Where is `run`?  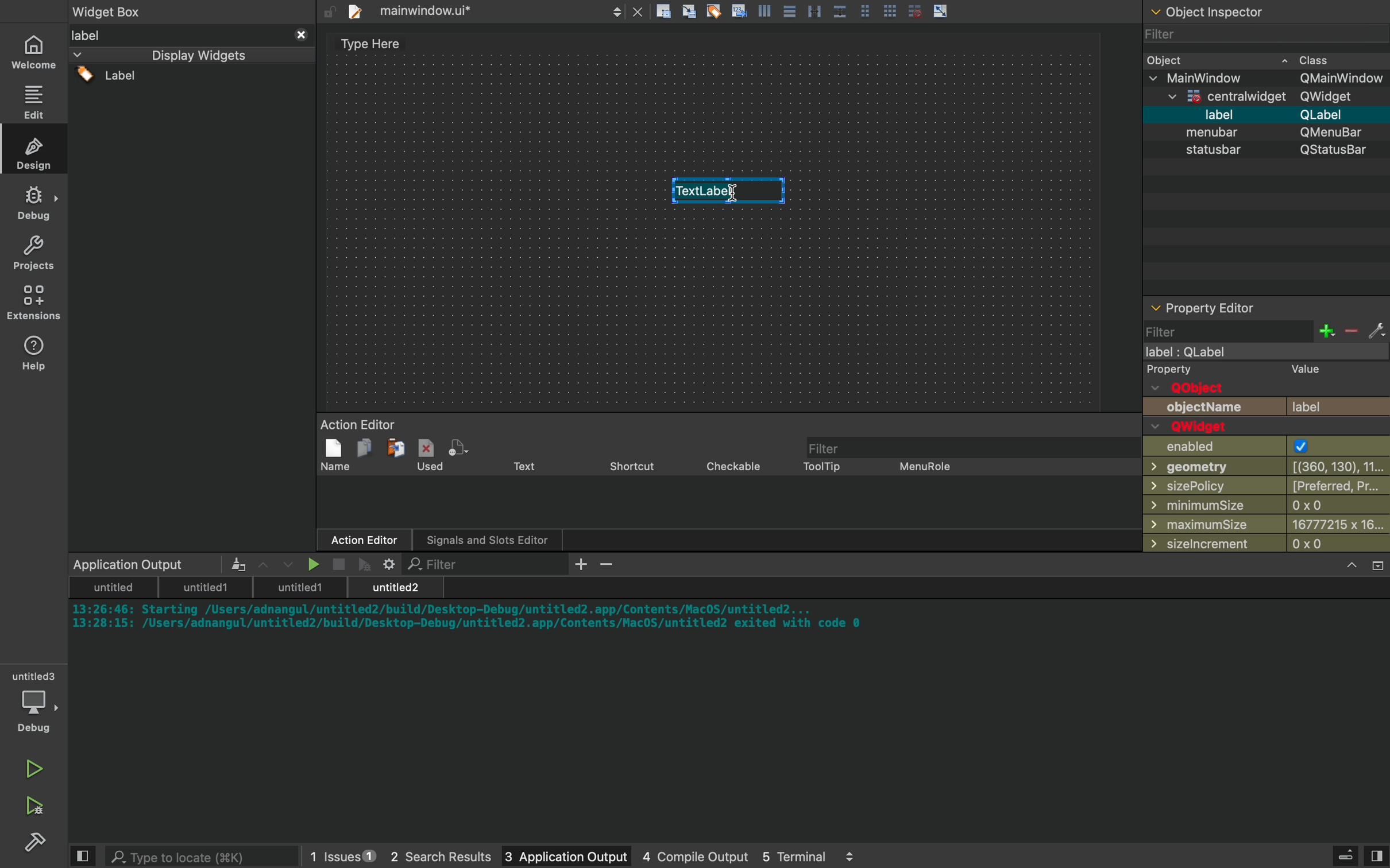
run is located at coordinates (34, 764).